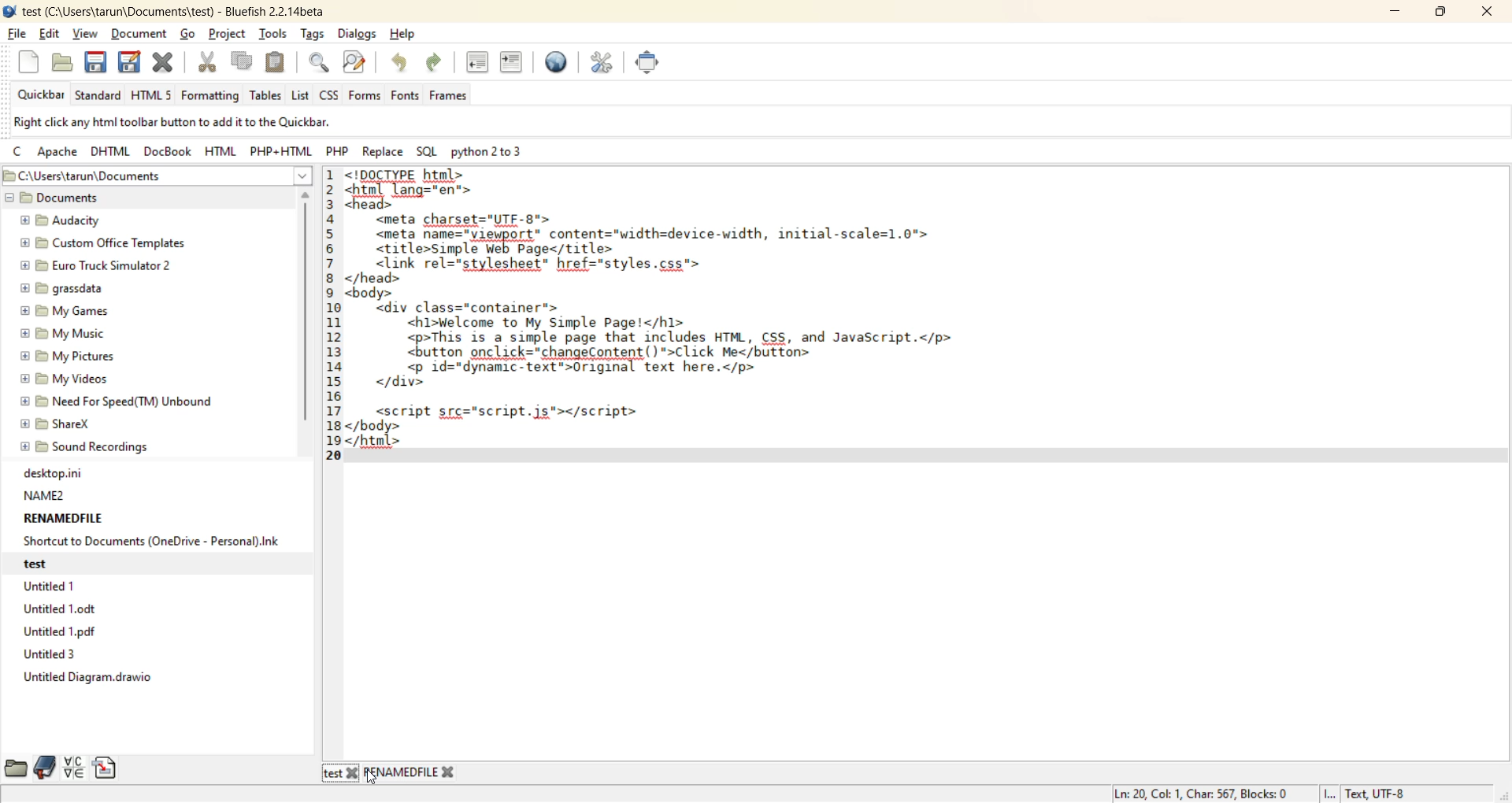 This screenshot has height=803, width=1512. What do you see at coordinates (358, 62) in the screenshot?
I see `find and replace` at bounding box center [358, 62].